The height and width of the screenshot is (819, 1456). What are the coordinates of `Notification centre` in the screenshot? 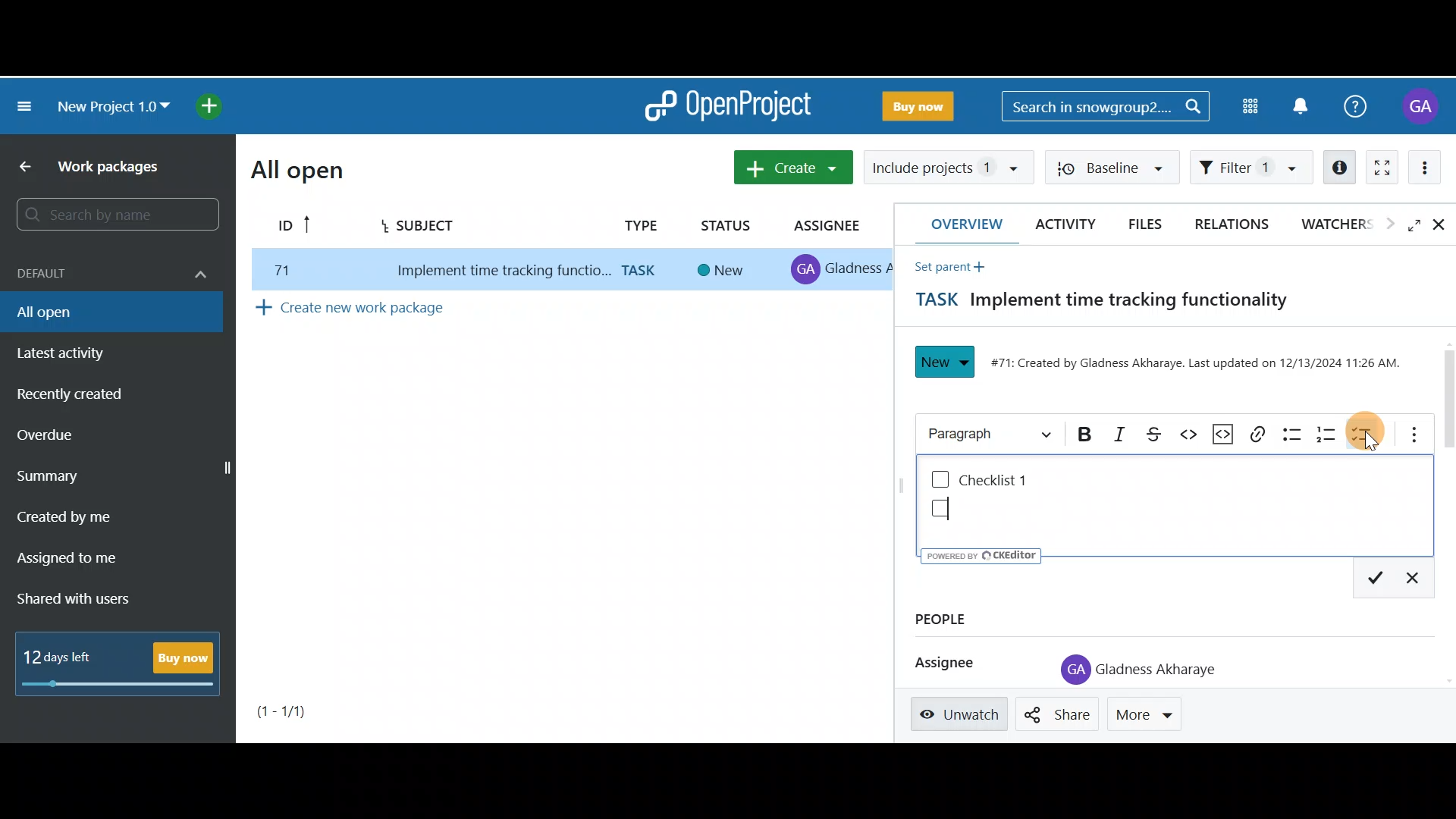 It's located at (1310, 105).